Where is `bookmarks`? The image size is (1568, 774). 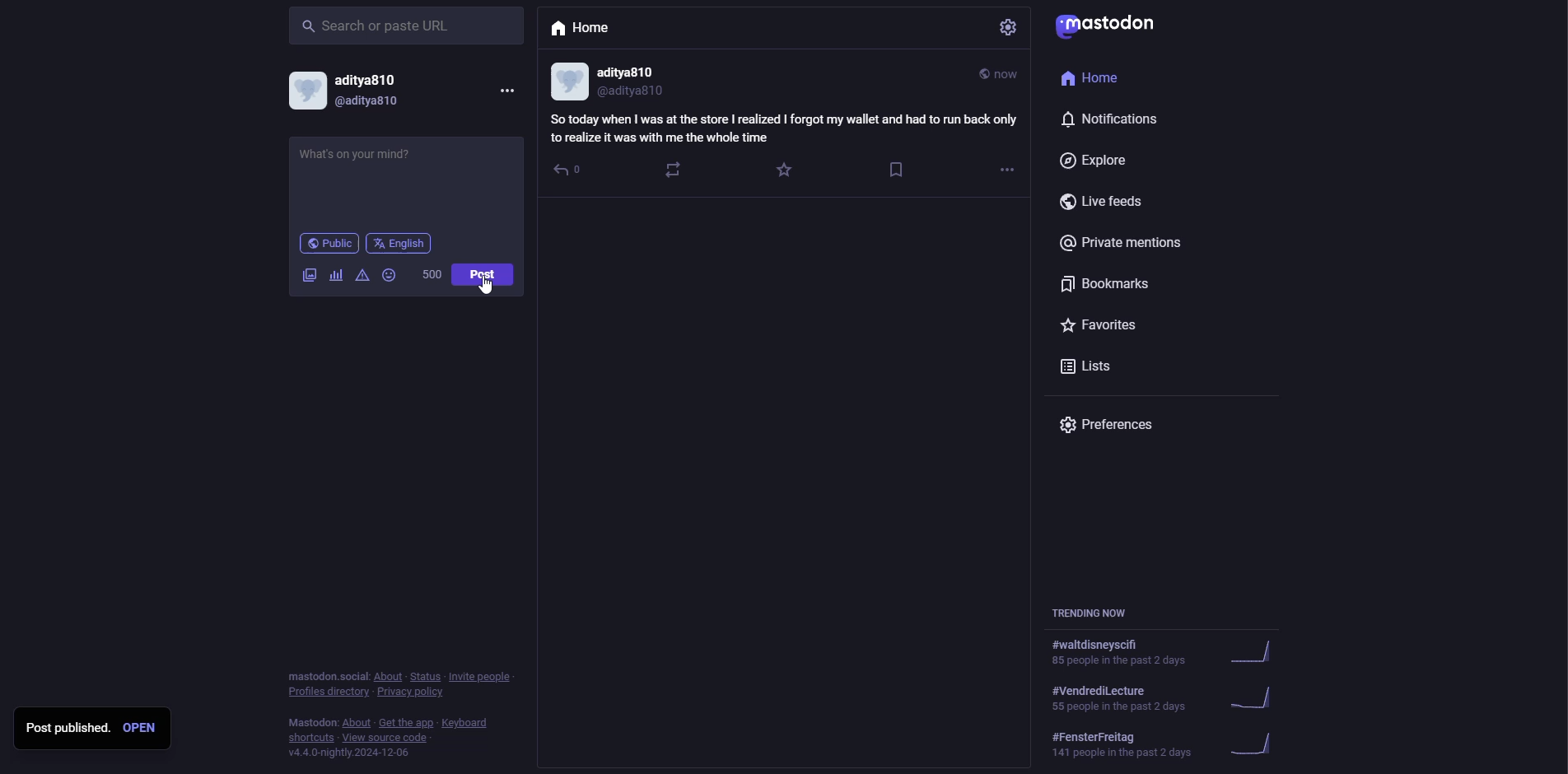 bookmarks is located at coordinates (1106, 284).